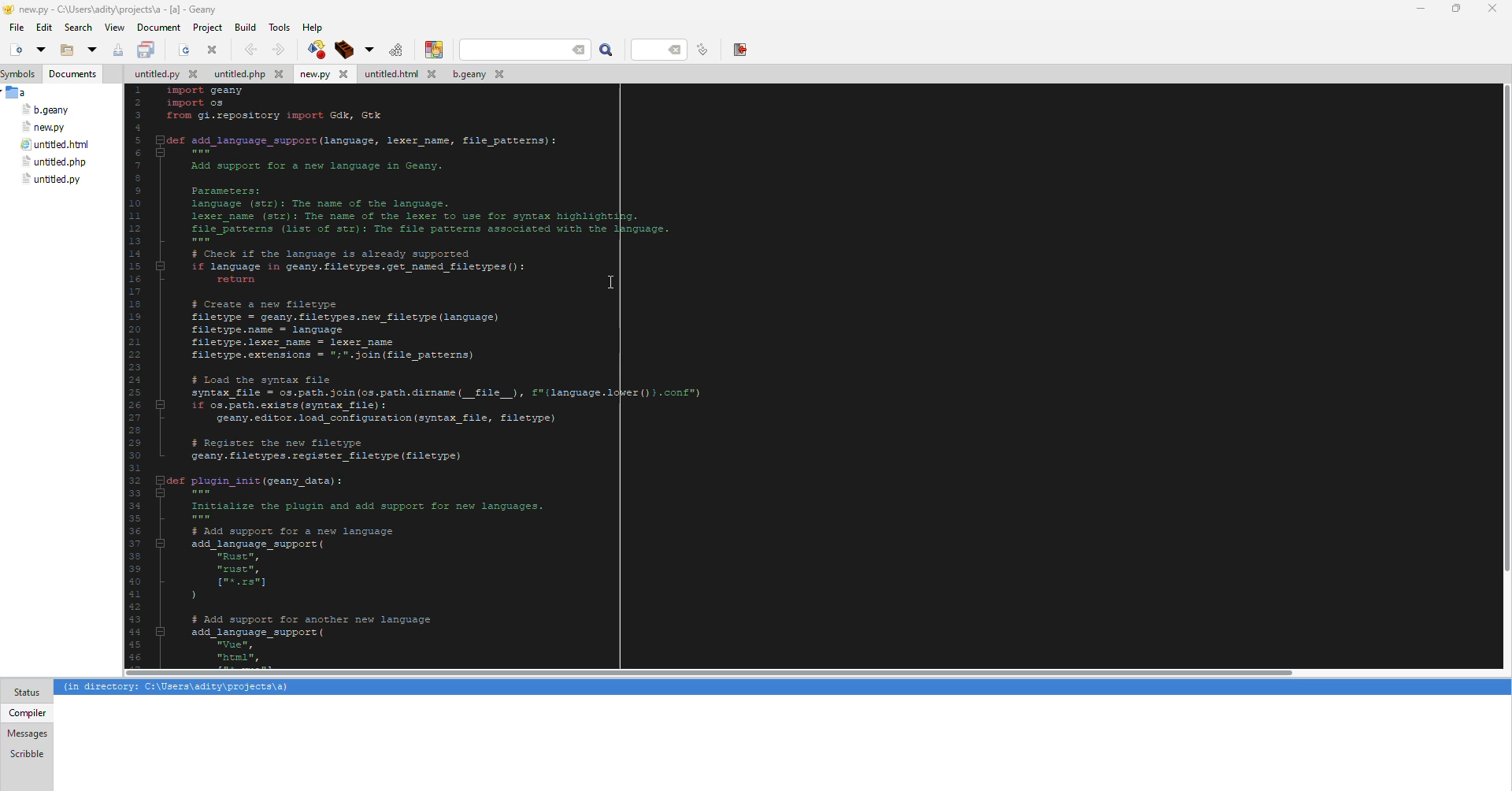 Image resolution: width=1512 pixels, height=791 pixels. I want to click on open, so click(91, 50).